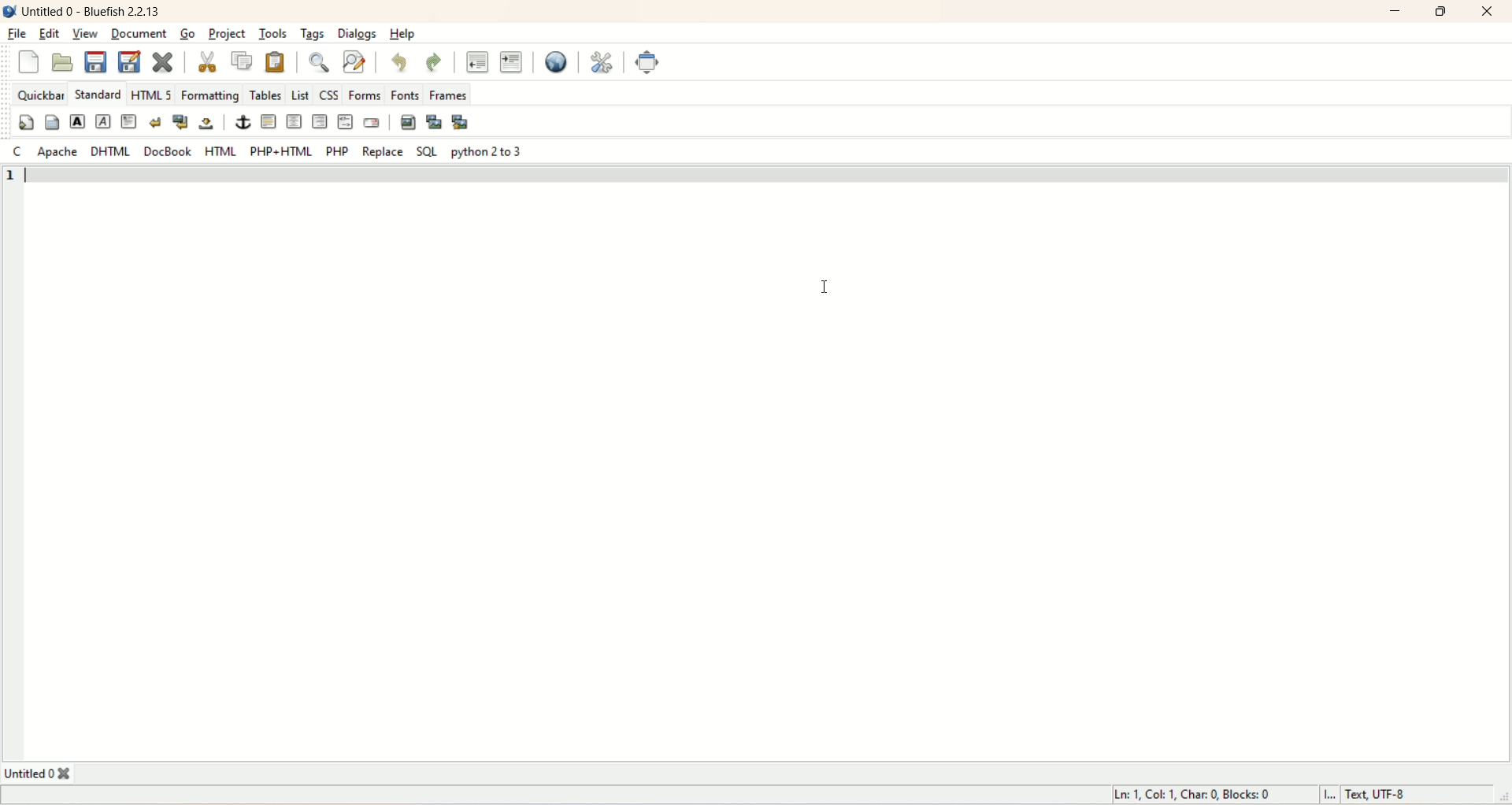 This screenshot has height=805, width=1512. I want to click on HTML 5, so click(153, 96).